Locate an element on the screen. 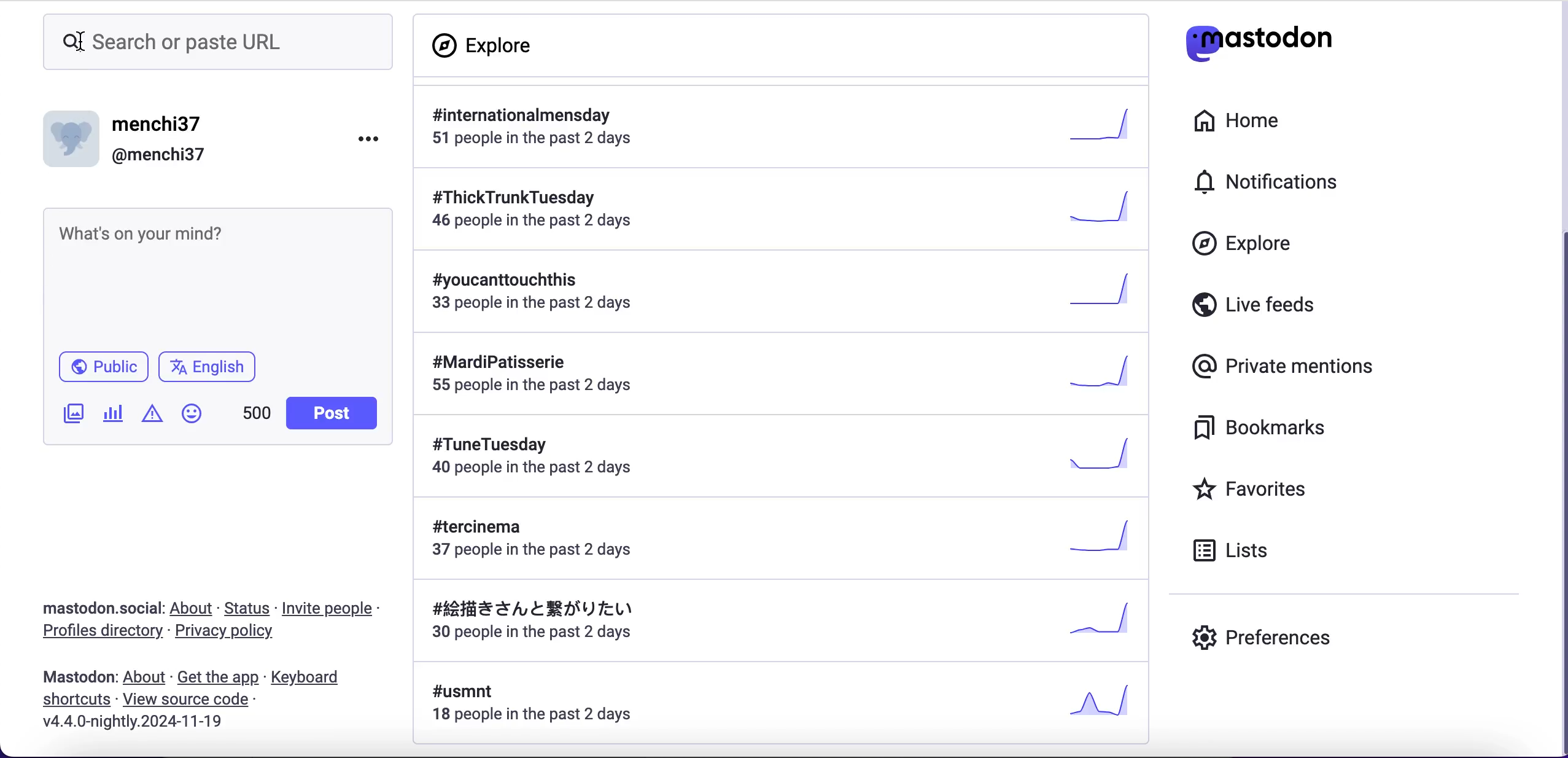 This screenshot has width=1568, height=758. #youcanttouchthis is located at coordinates (779, 299).